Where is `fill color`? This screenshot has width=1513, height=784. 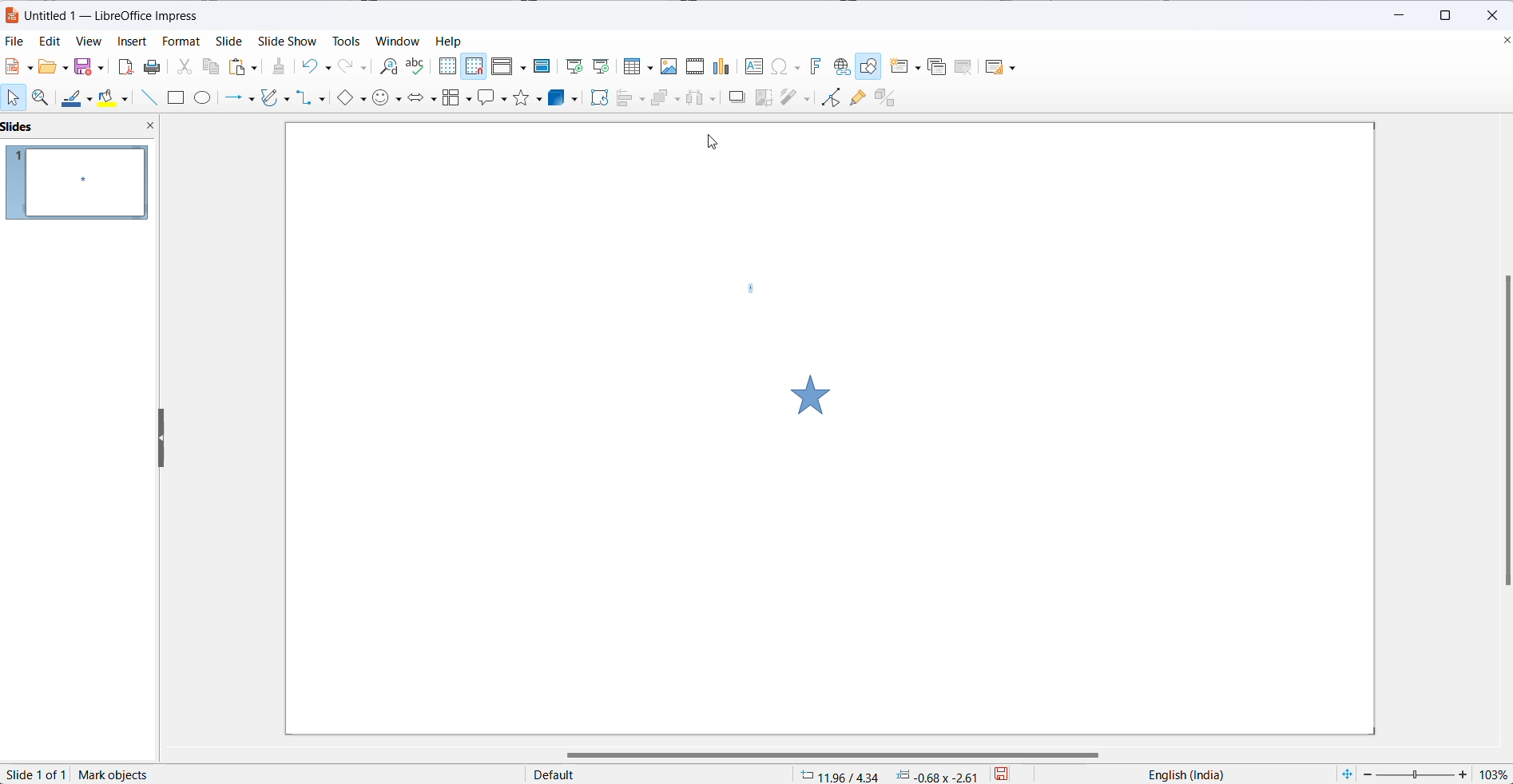 fill color is located at coordinates (117, 97).